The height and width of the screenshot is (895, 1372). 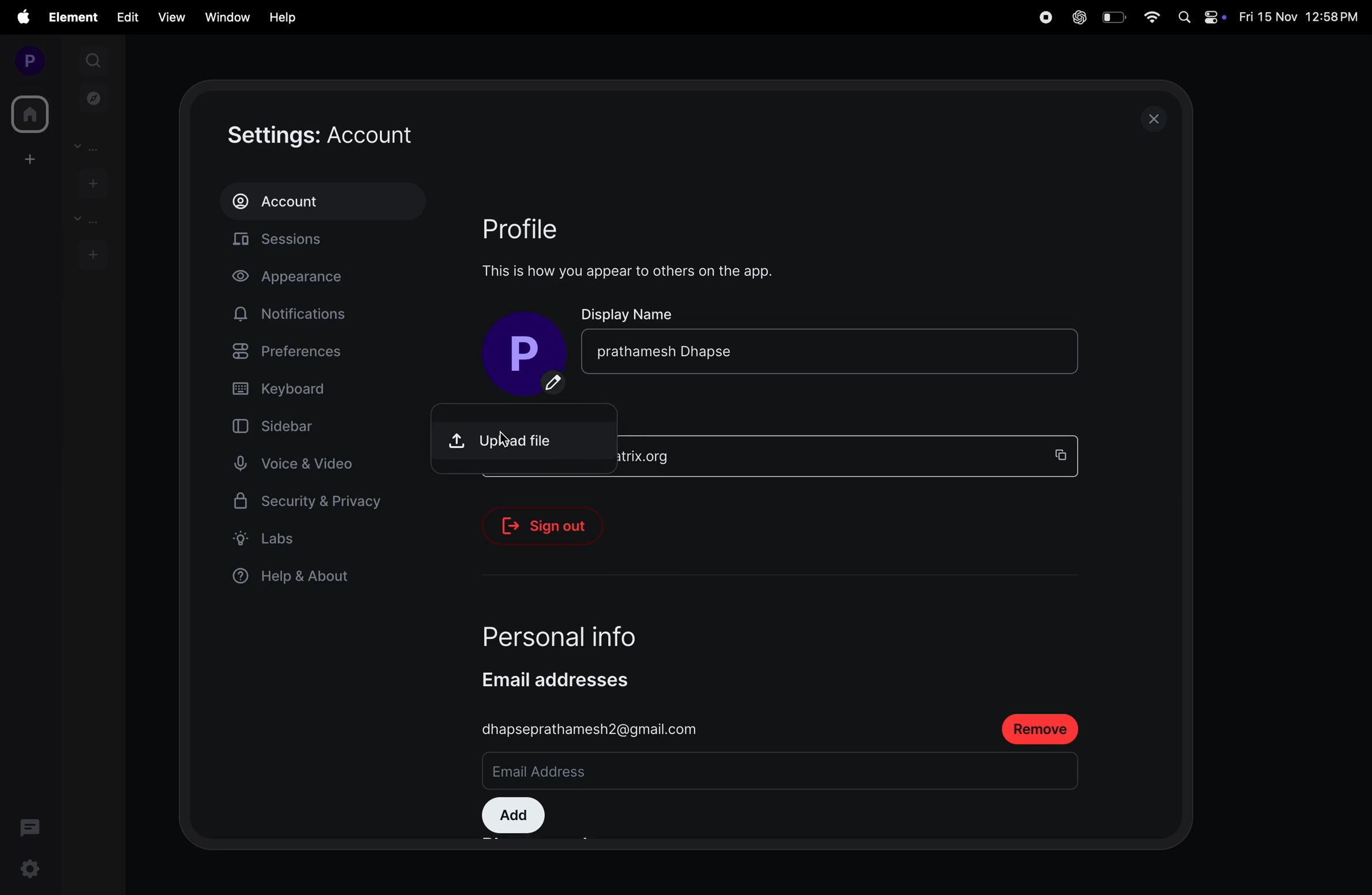 I want to click on sessions, so click(x=329, y=242).